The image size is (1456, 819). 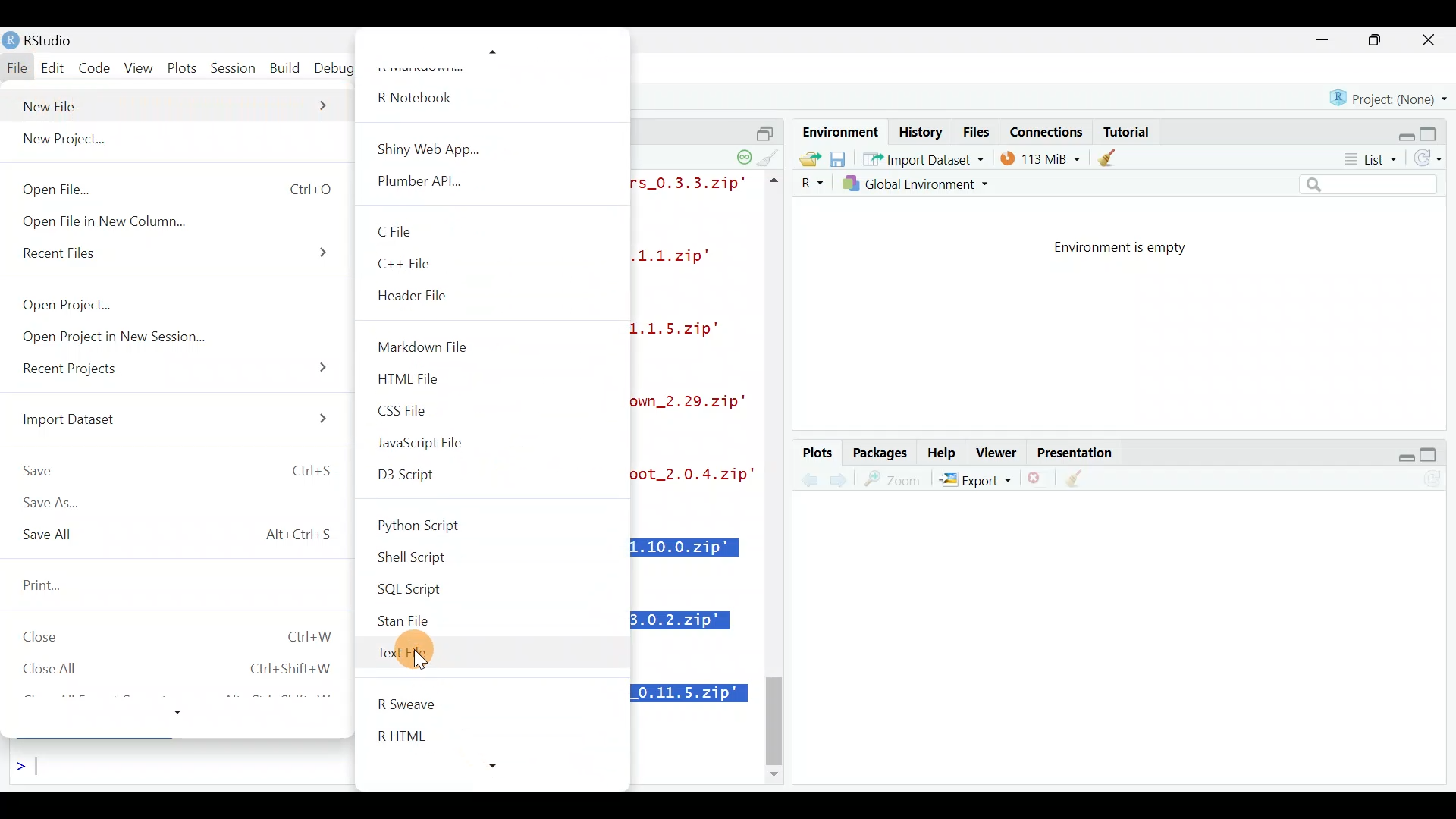 I want to click on Refresh list of objects in the environment, so click(x=1433, y=160).